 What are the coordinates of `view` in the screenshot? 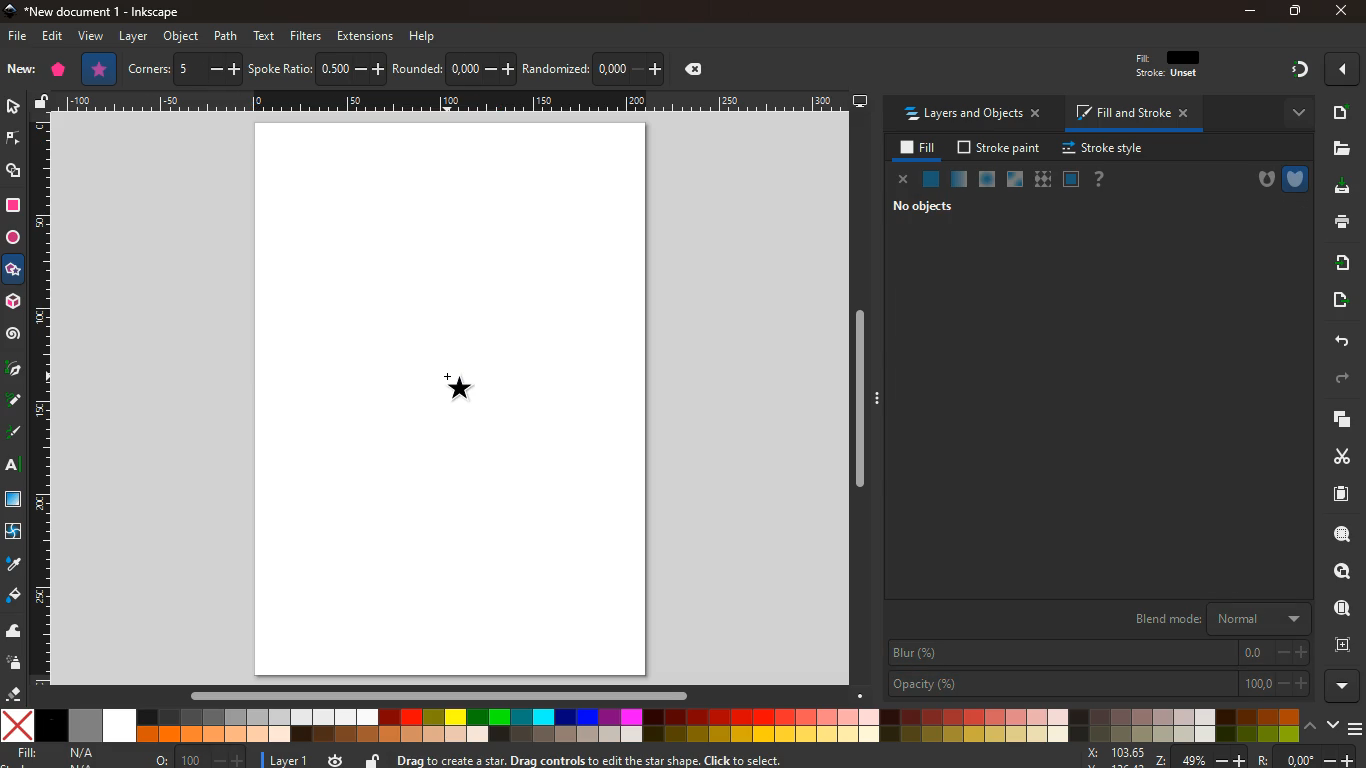 It's located at (93, 36).